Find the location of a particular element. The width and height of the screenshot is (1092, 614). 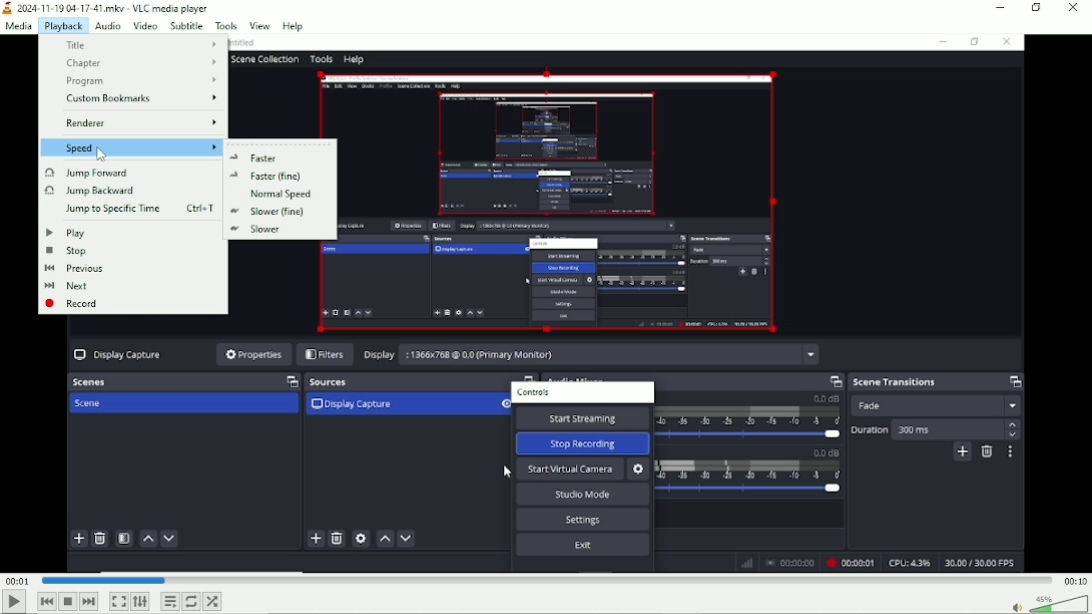

Previous is located at coordinates (47, 601).